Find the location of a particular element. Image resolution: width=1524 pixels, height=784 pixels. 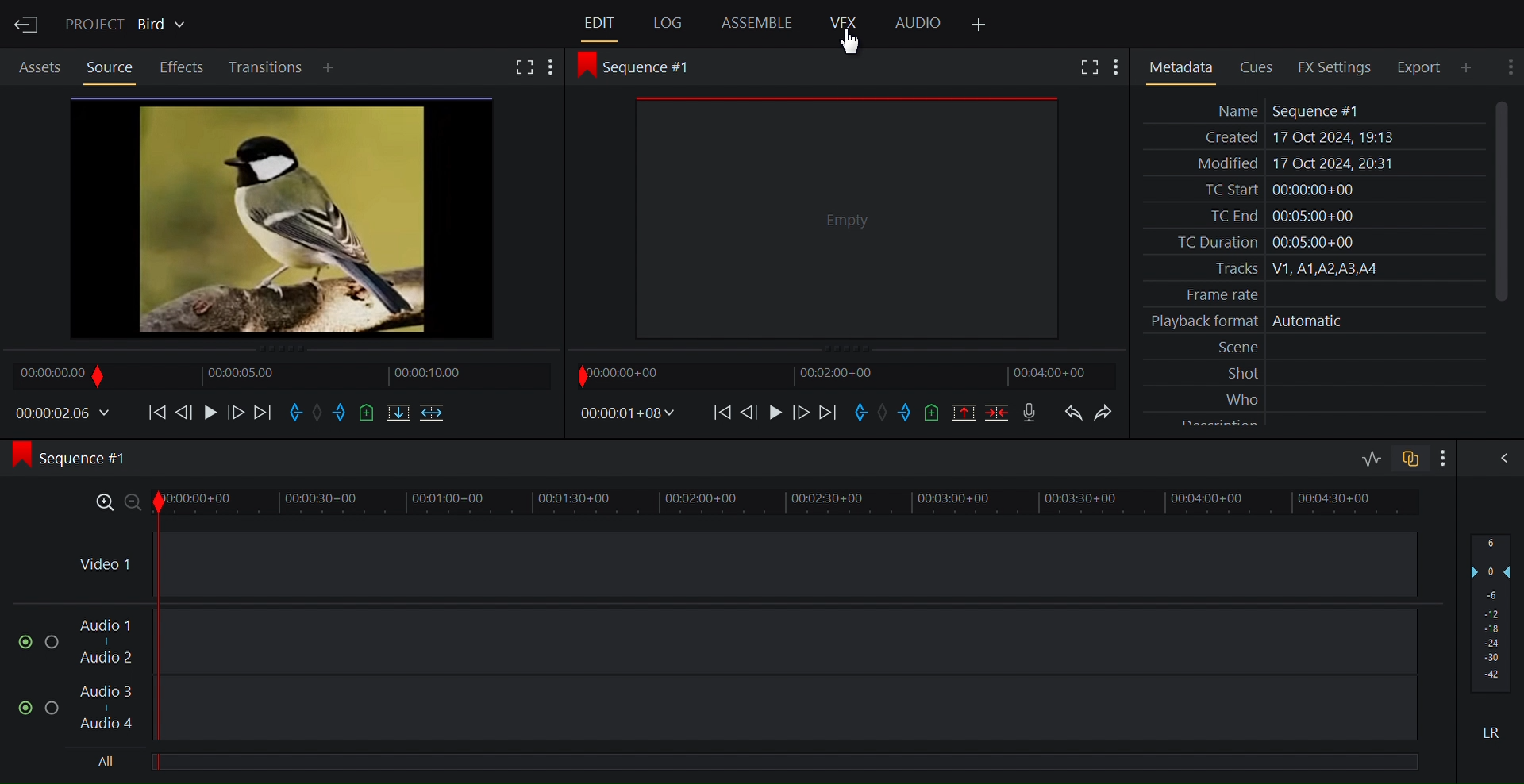

Mute/Unmute is located at coordinates (16, 640).